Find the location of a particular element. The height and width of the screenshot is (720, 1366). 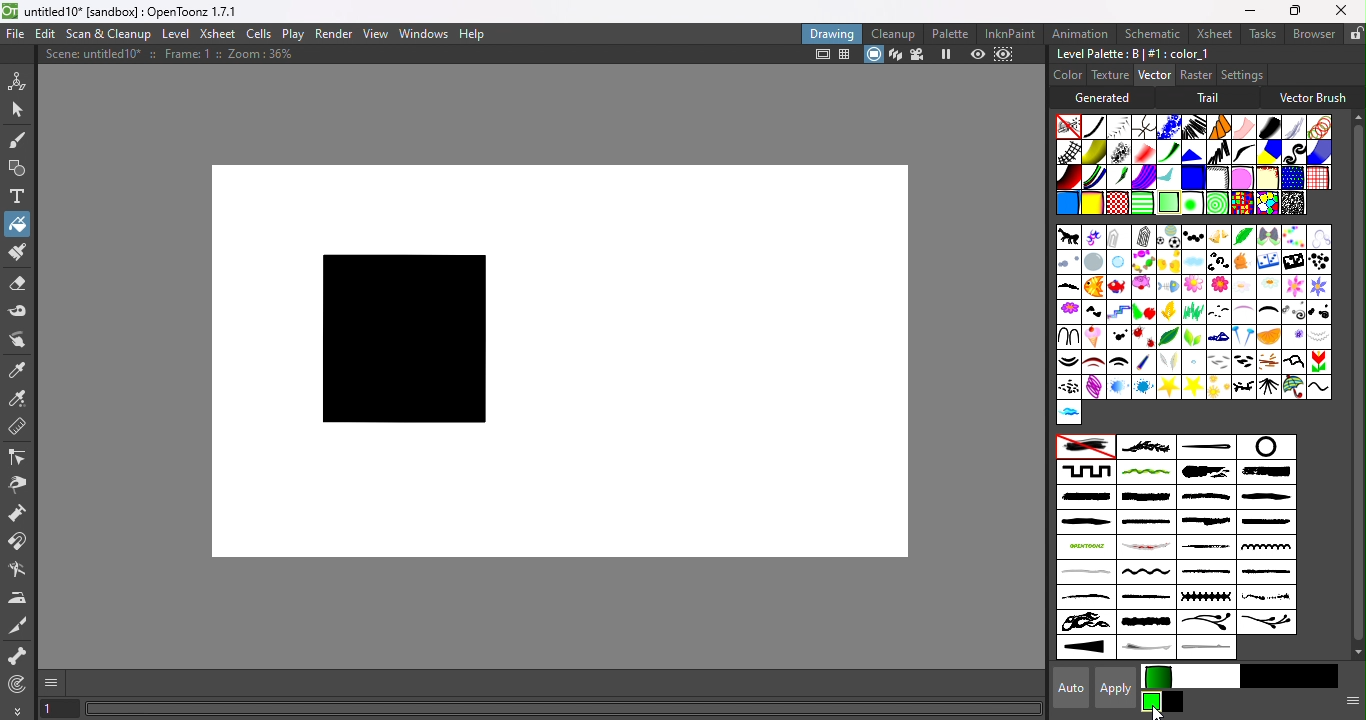

Vector is located at coordinates (1154, 74).